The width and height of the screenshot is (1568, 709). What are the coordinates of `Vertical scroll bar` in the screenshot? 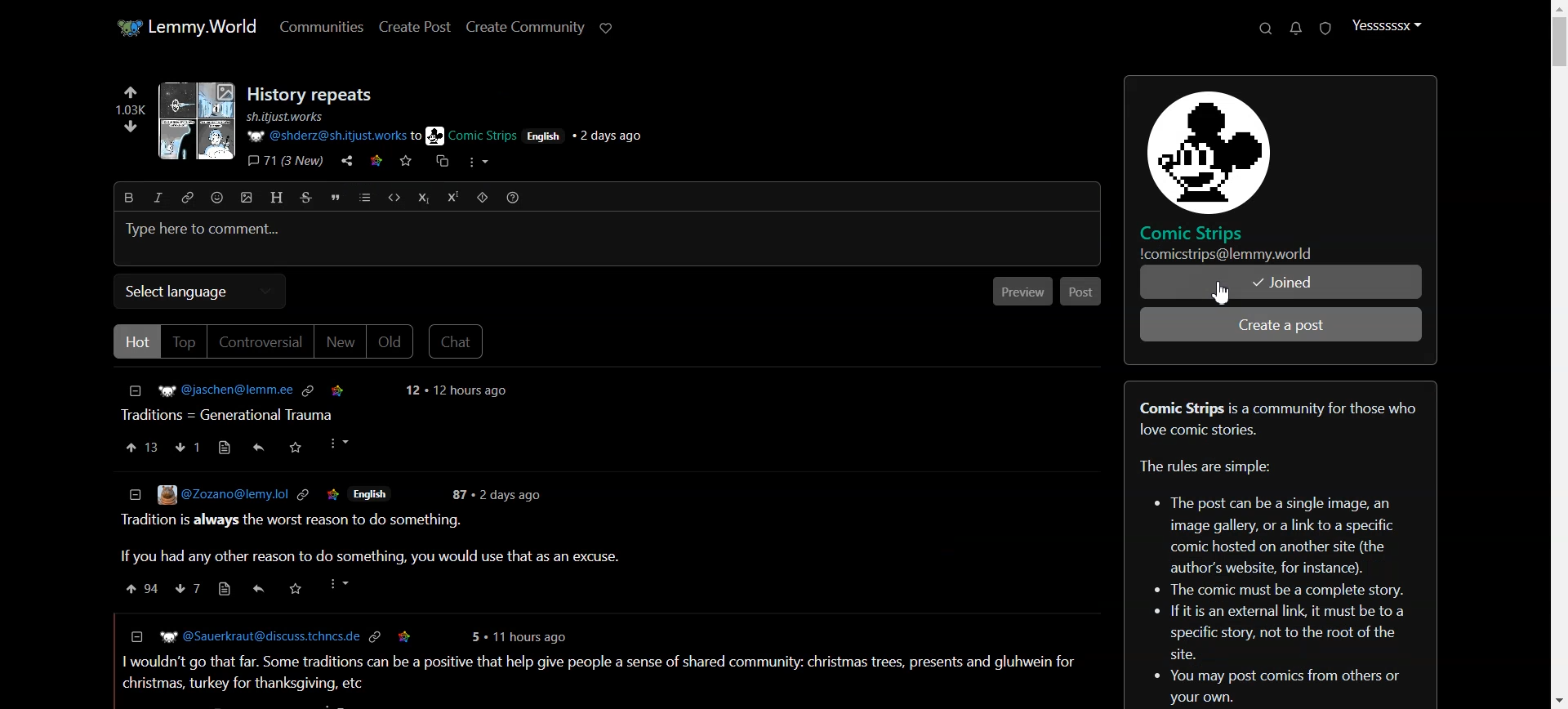 It's located at (1557, 354).